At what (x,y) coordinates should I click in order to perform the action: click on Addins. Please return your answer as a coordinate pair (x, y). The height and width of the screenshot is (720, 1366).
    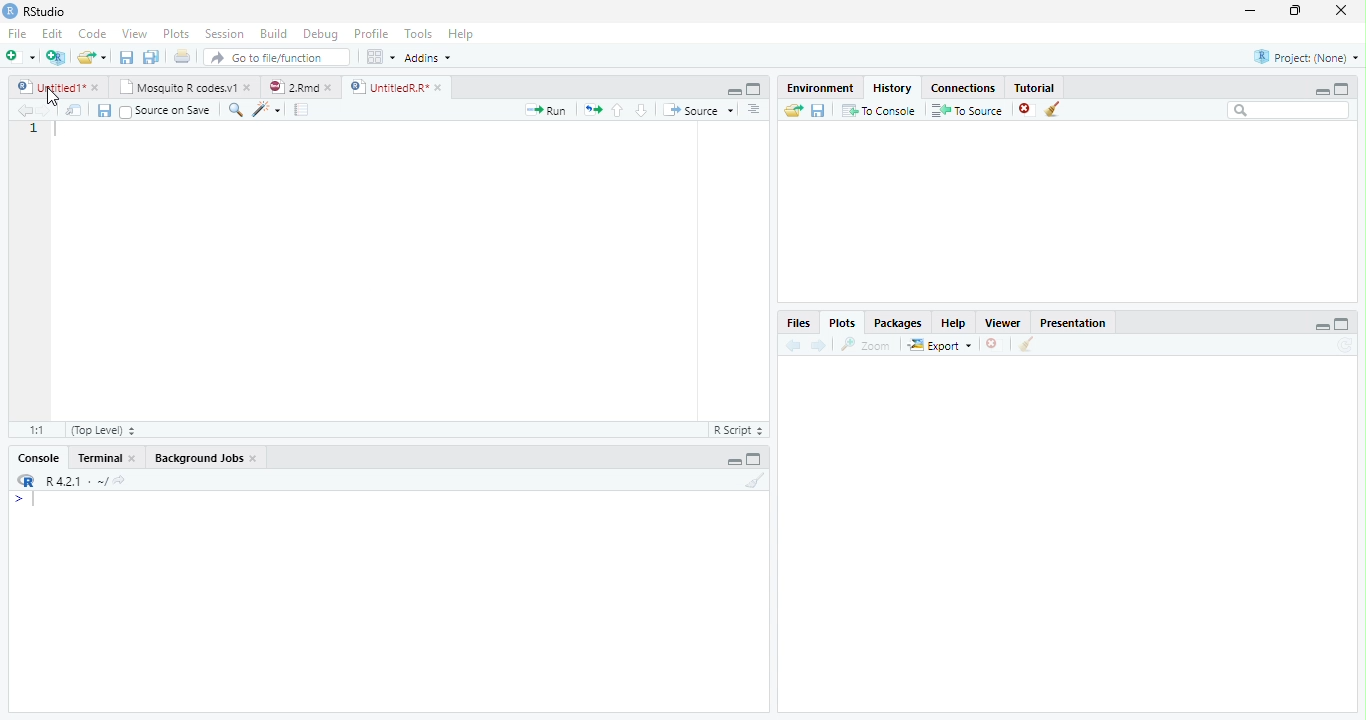
    Looking at the image, I should click on (427, 57).